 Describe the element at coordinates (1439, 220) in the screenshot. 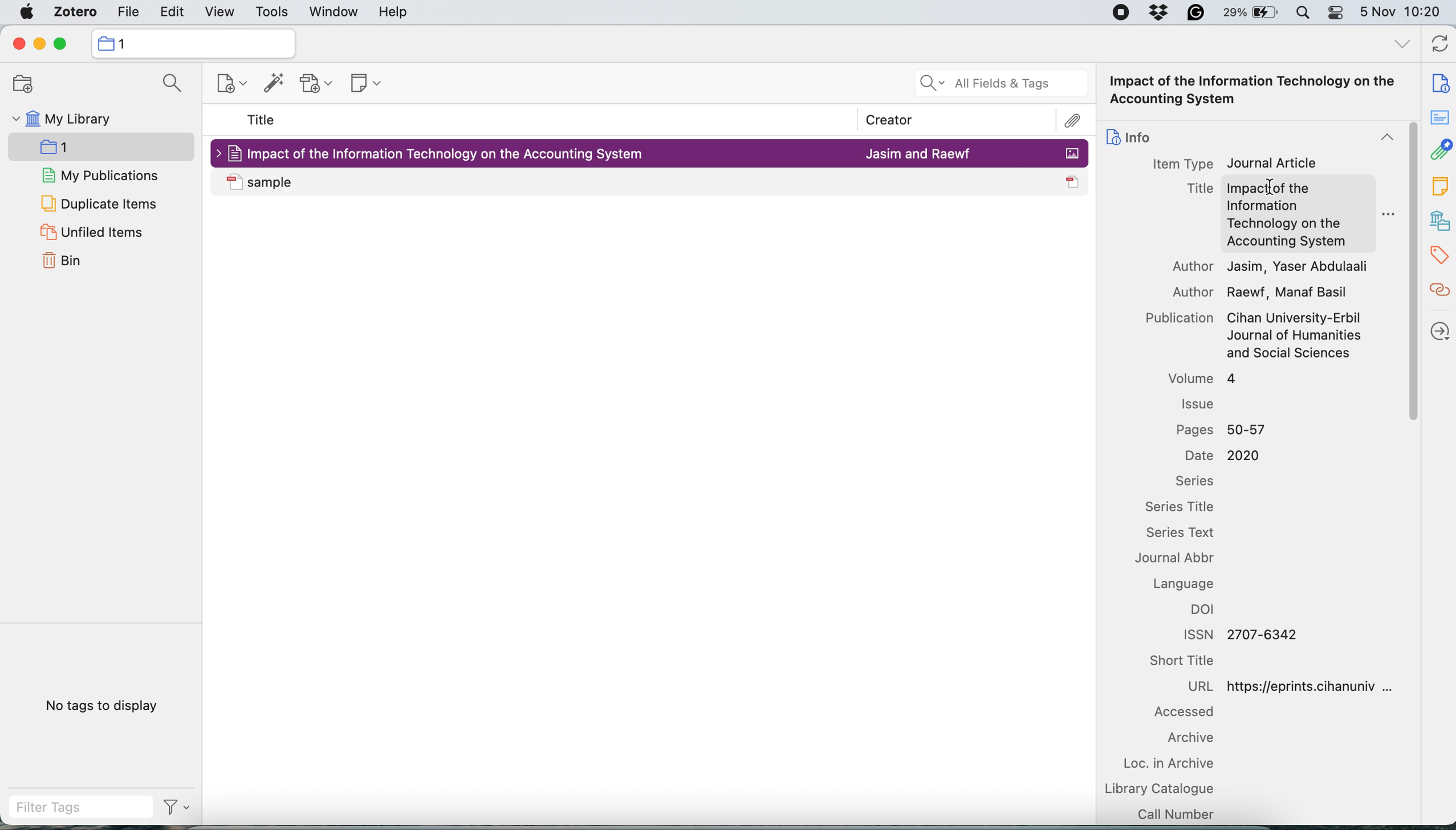

I see `libraries and collection` at that location.